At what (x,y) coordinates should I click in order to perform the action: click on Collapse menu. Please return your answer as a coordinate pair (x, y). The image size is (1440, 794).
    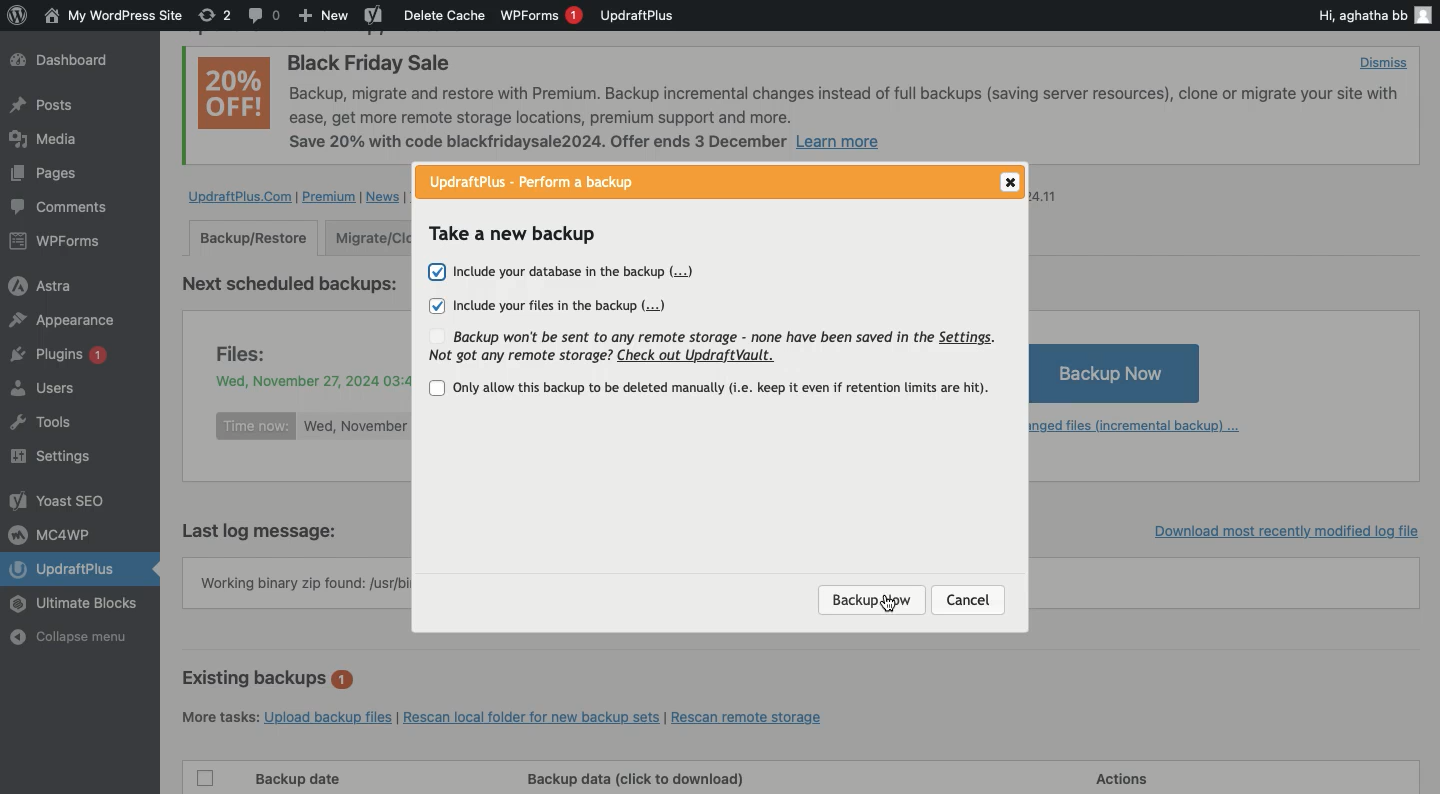
    Looking at the image, I should click on (82, 637).